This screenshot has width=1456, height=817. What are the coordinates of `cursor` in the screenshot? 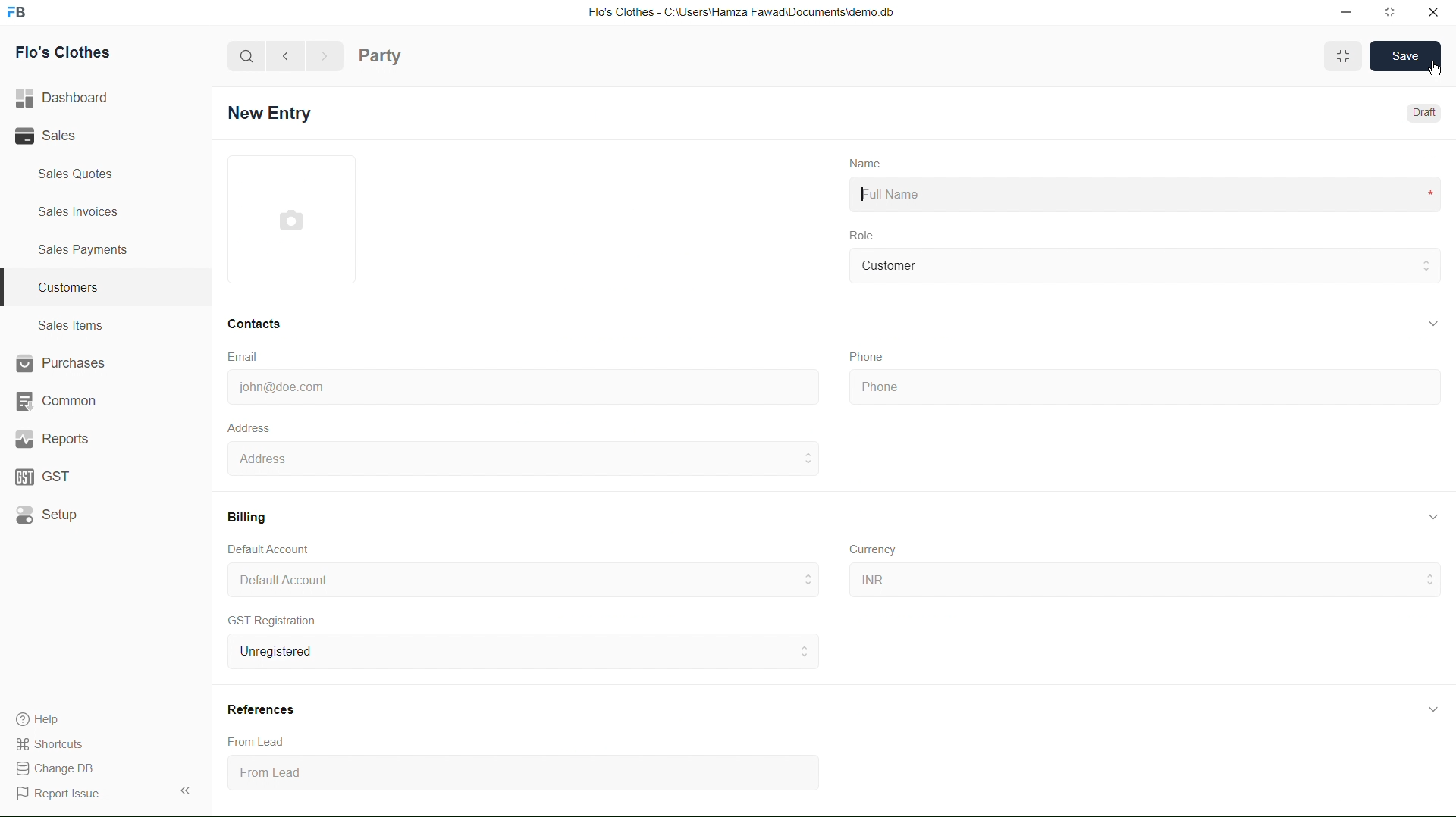 It's located at (1430, 70).